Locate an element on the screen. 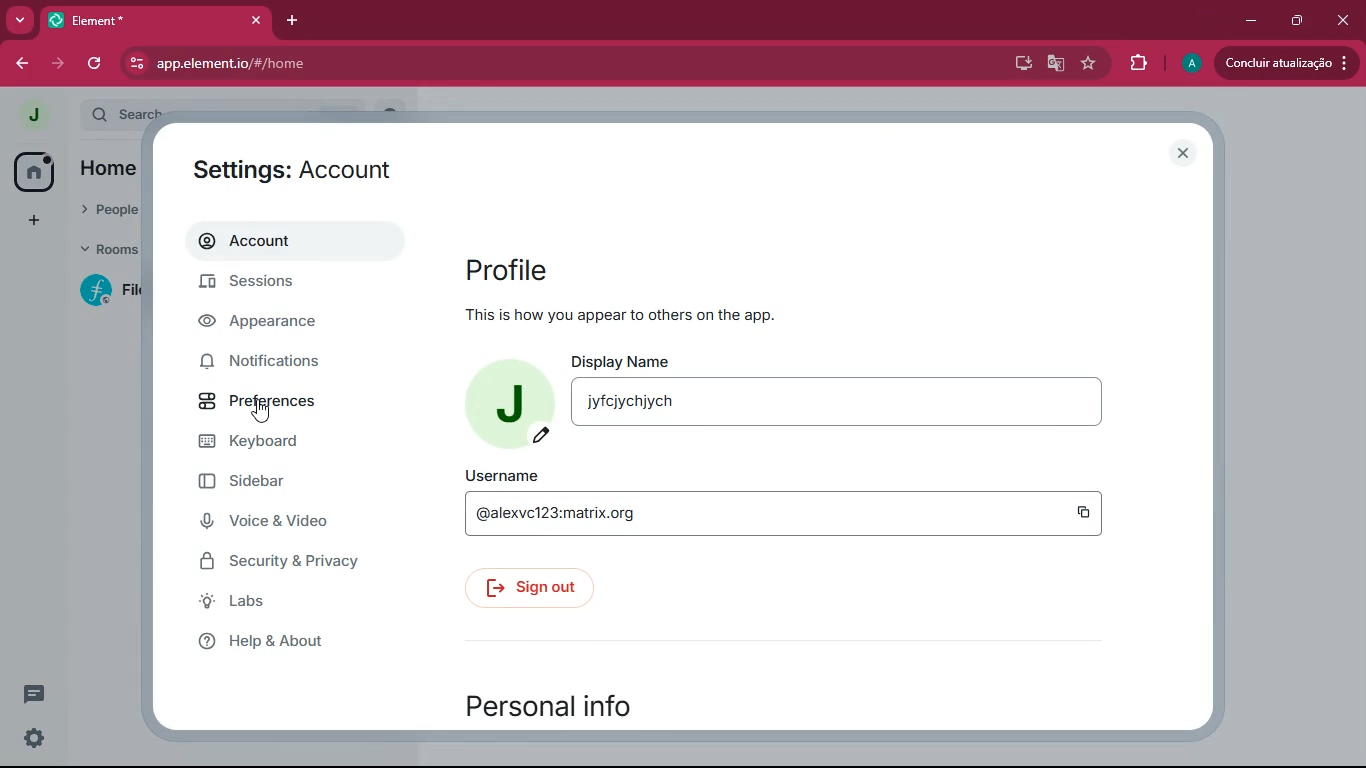 Image resolution: width=1366 pixels, height=768 pixels. keyboard  is located at coordinates (283, 444).